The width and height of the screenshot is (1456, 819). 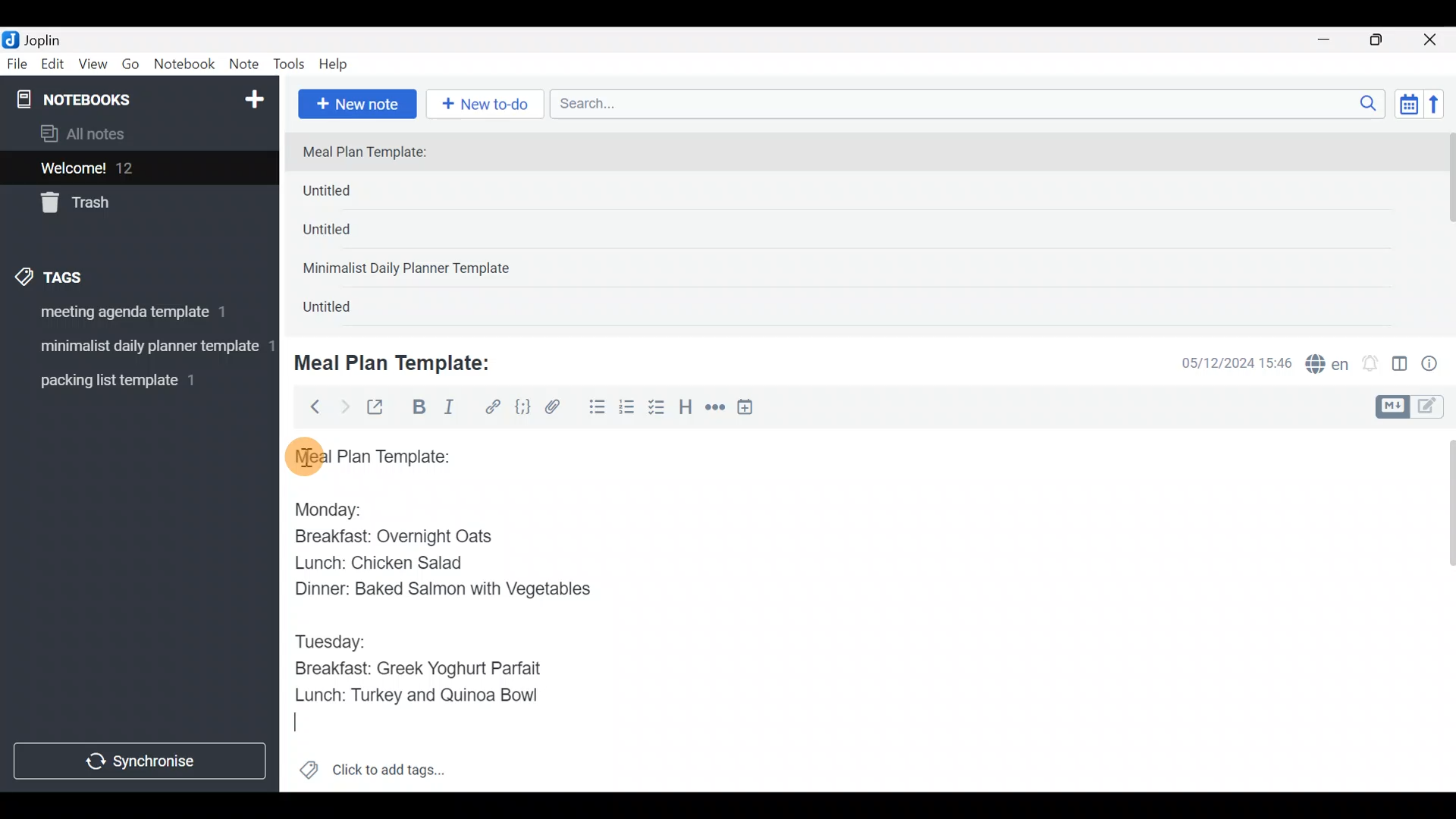 What do you see at coordinates (381, 408) in the screenshot?
I see `Toggle external editing` at bounding box center [381, 408].